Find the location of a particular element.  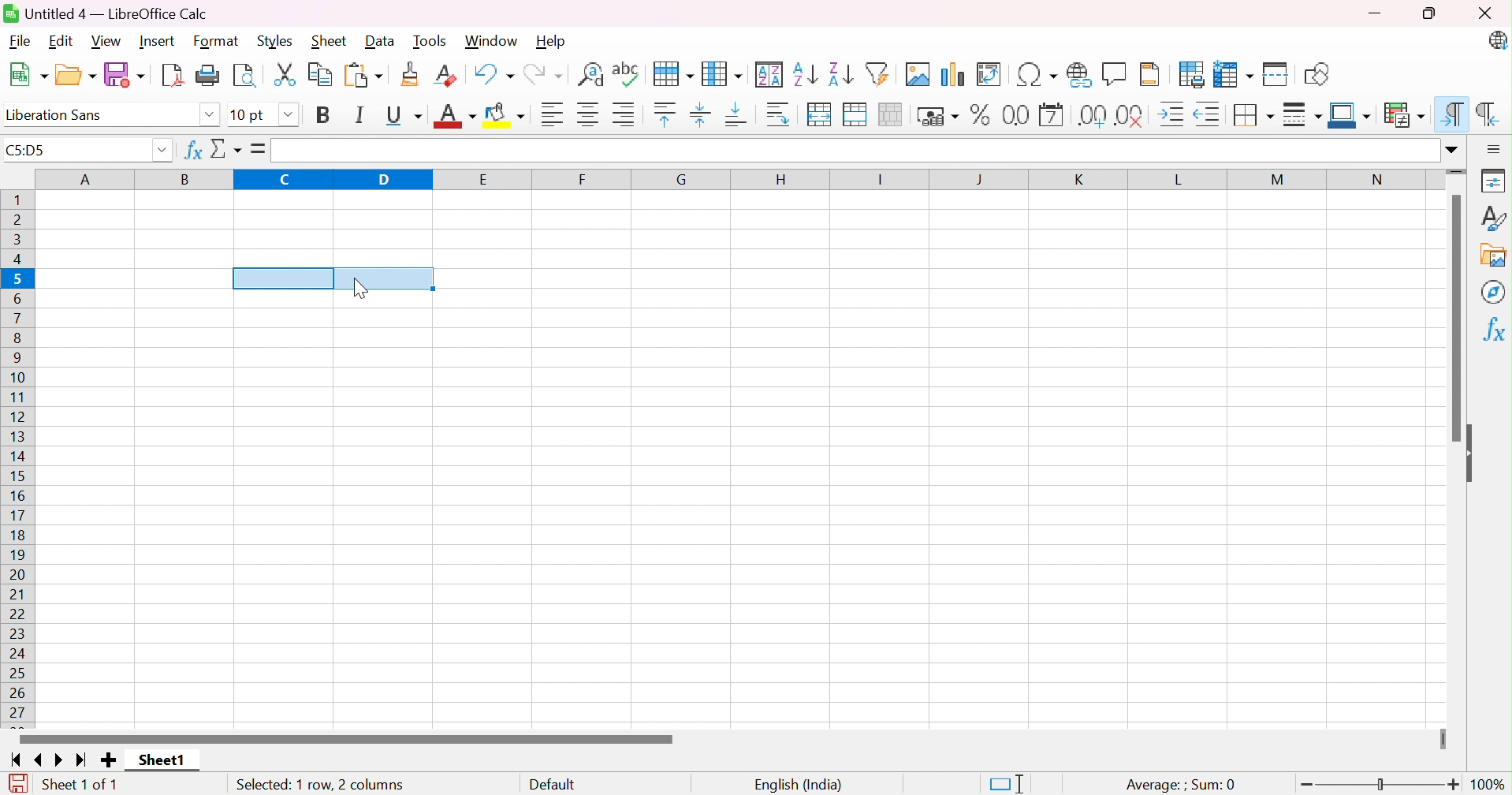

English (India) is located at coordinates (799, 782).